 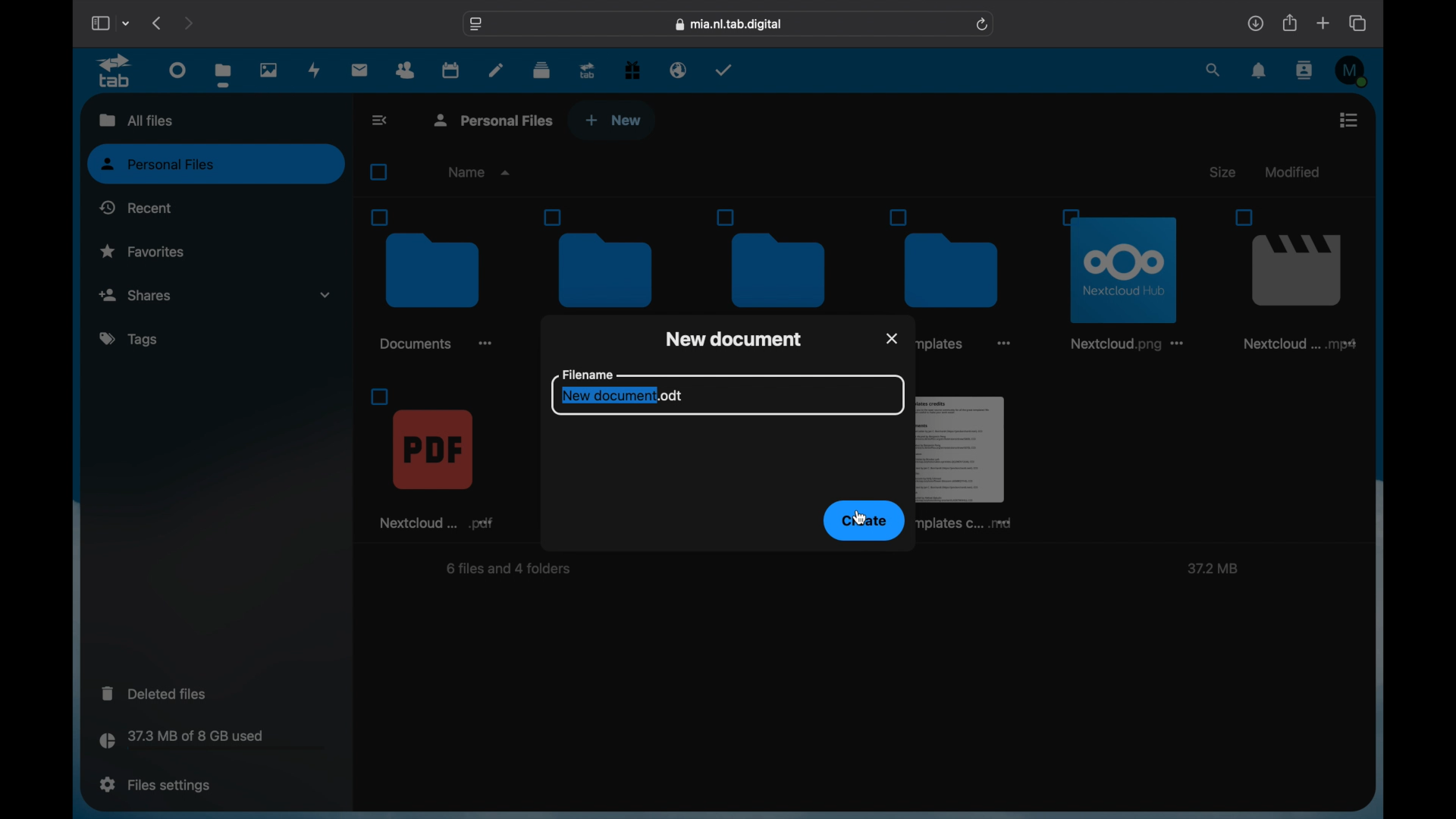 What do you see at coordinates (734, 337) in the screenshot?
I see `new document` at bounding box center [734, 337].